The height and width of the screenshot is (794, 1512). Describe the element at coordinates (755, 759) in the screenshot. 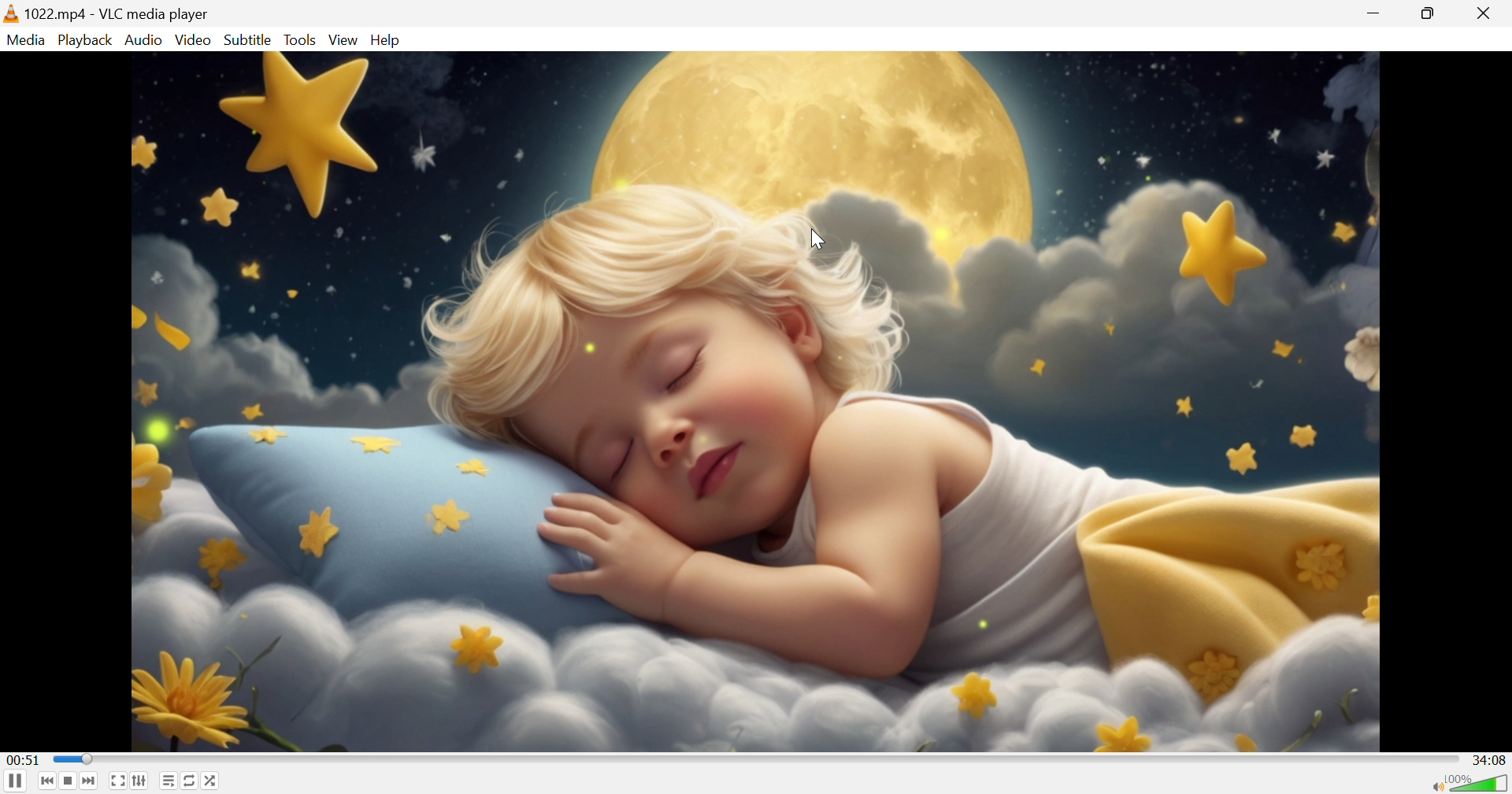

I see `Progress bar` at that location.